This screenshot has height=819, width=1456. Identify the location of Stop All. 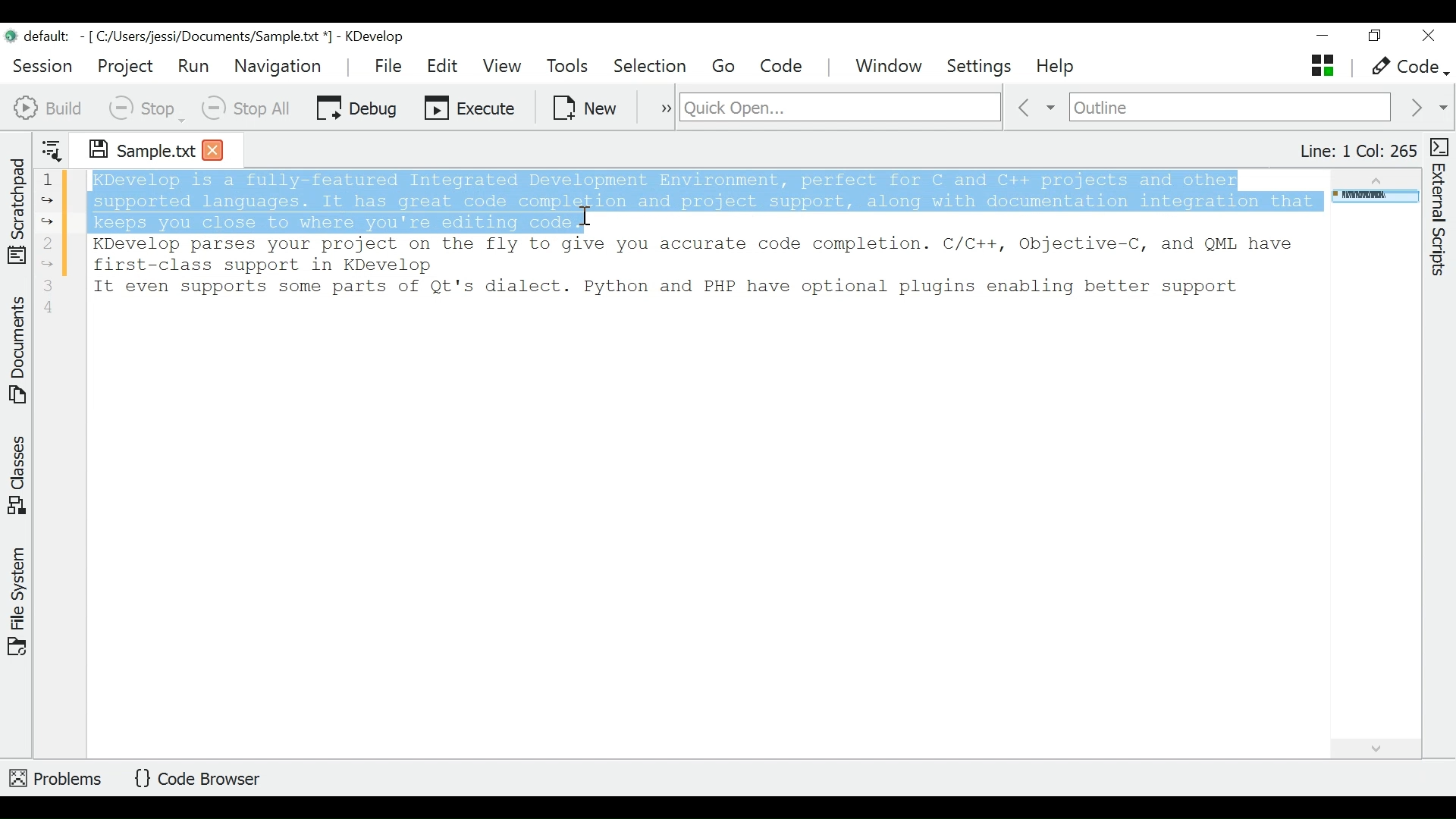
(248, 108).